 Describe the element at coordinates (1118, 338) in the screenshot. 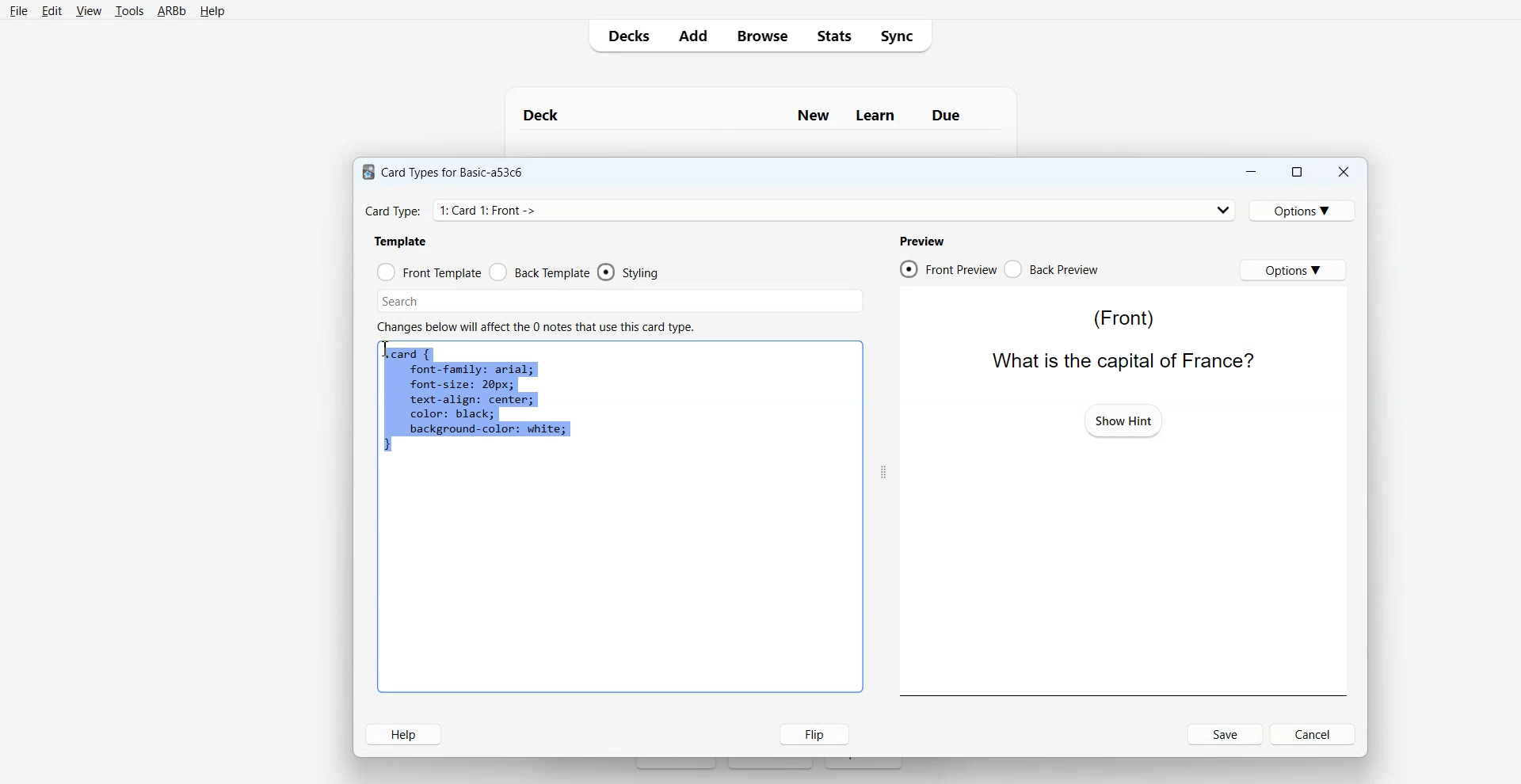

I see `(Front)
What is the capital of France?` at that location.